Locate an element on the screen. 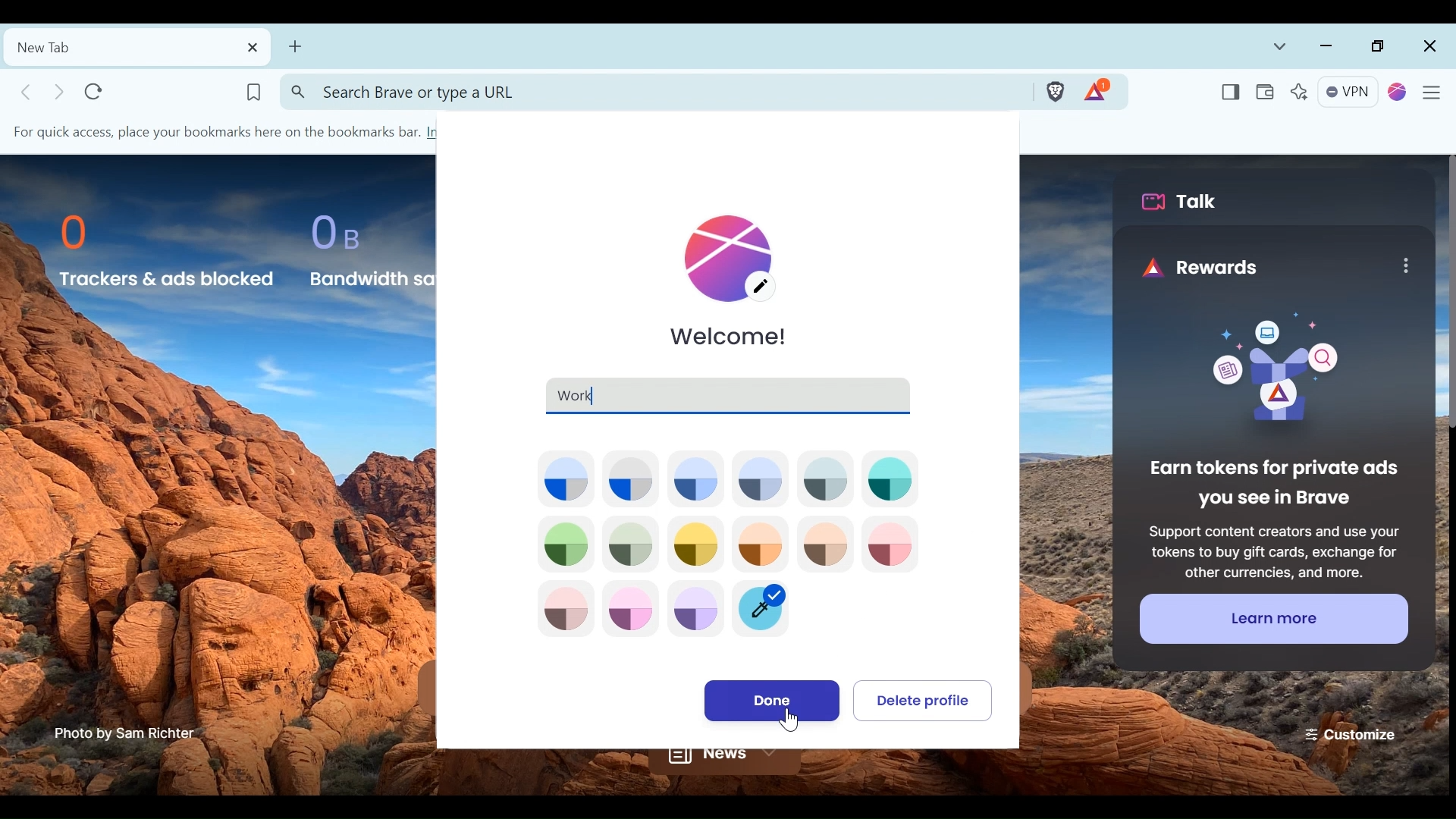 This screenshot has width=1456, height=819. rewards is located at coordinates (1203, 268).